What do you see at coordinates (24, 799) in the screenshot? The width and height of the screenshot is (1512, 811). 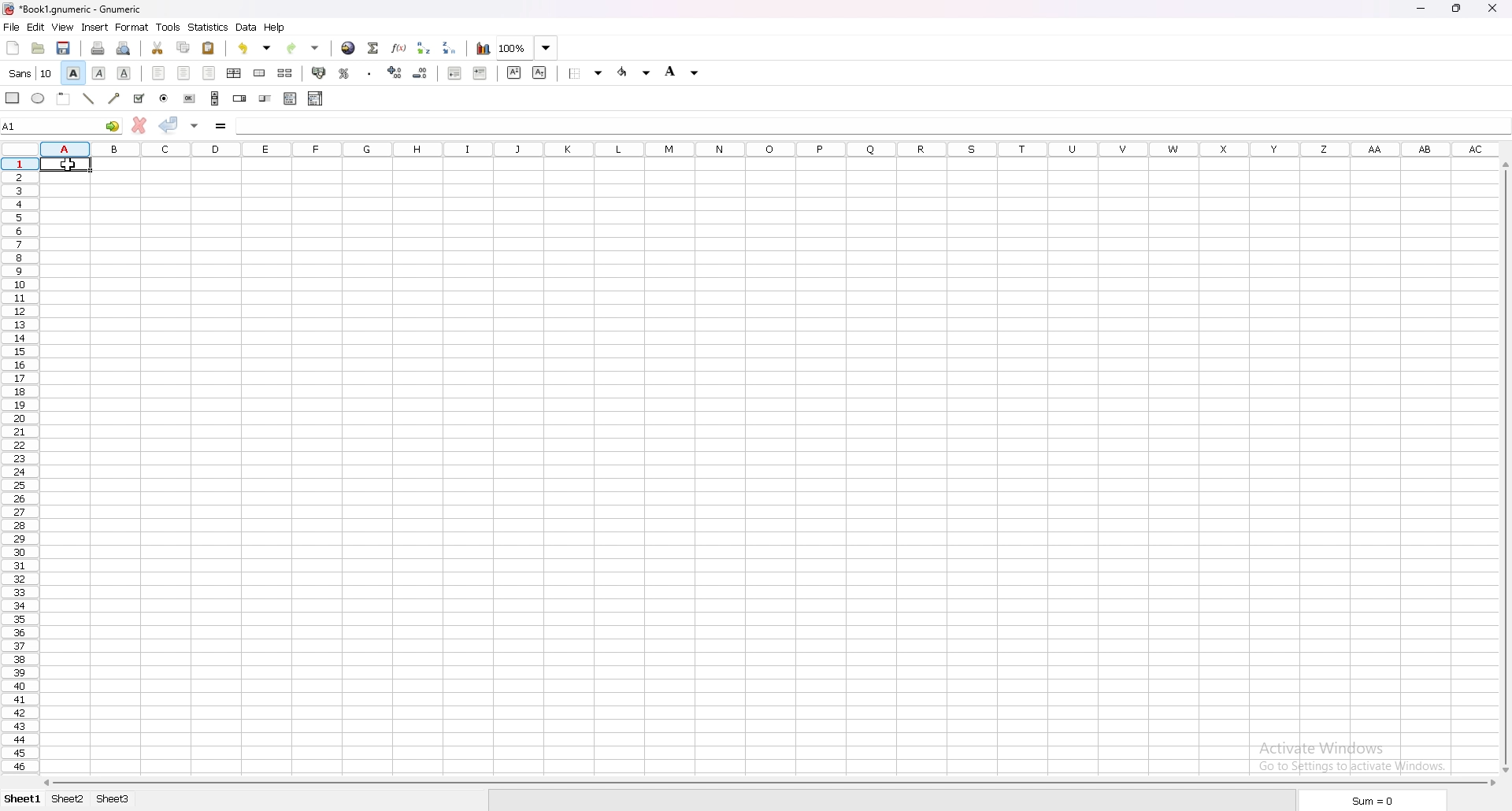 I see `sheet 1` at bounding box center [24, 799].